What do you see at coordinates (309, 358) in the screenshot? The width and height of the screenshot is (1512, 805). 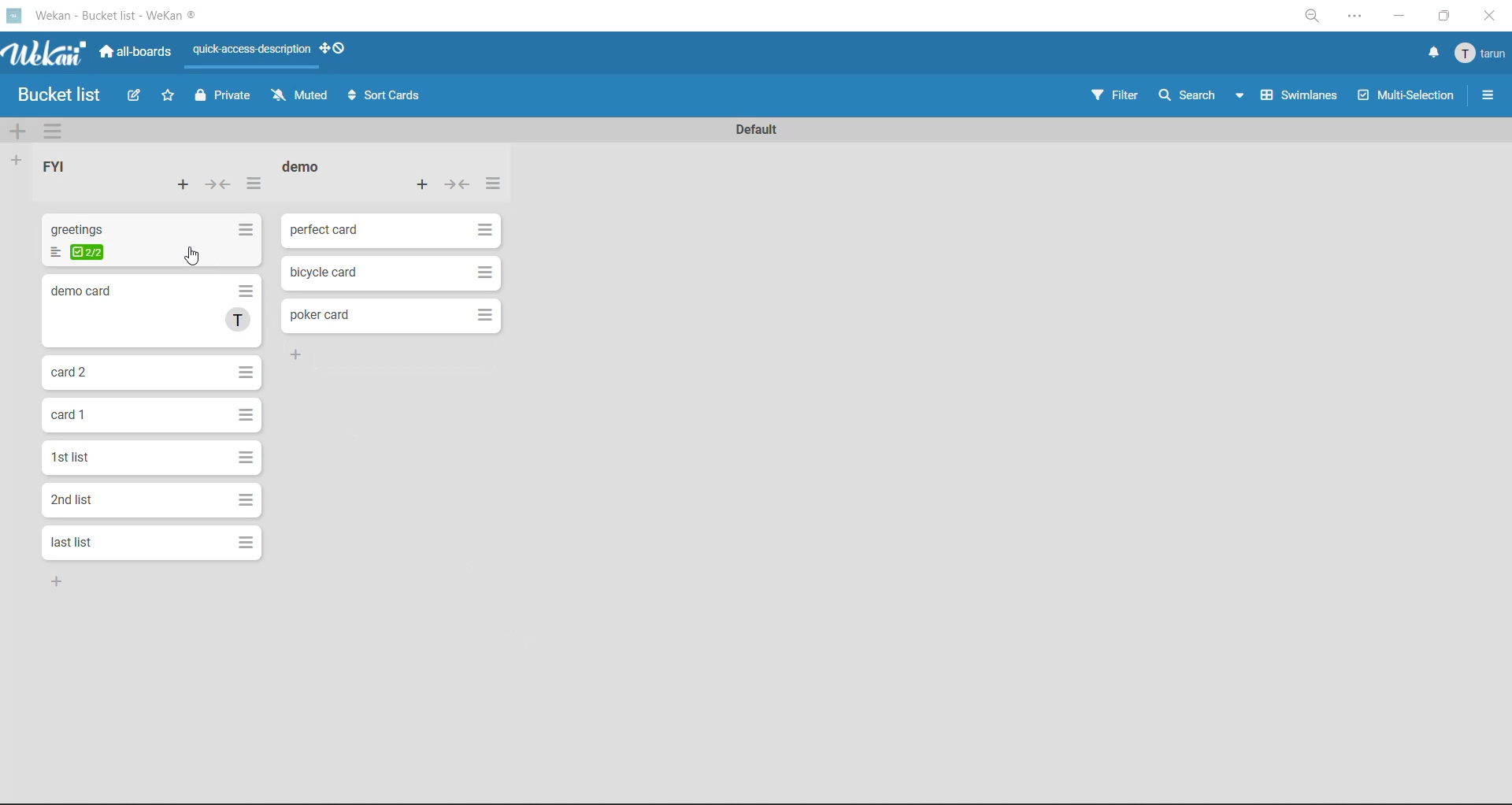 I see `add` at bounding box center [309, 358].